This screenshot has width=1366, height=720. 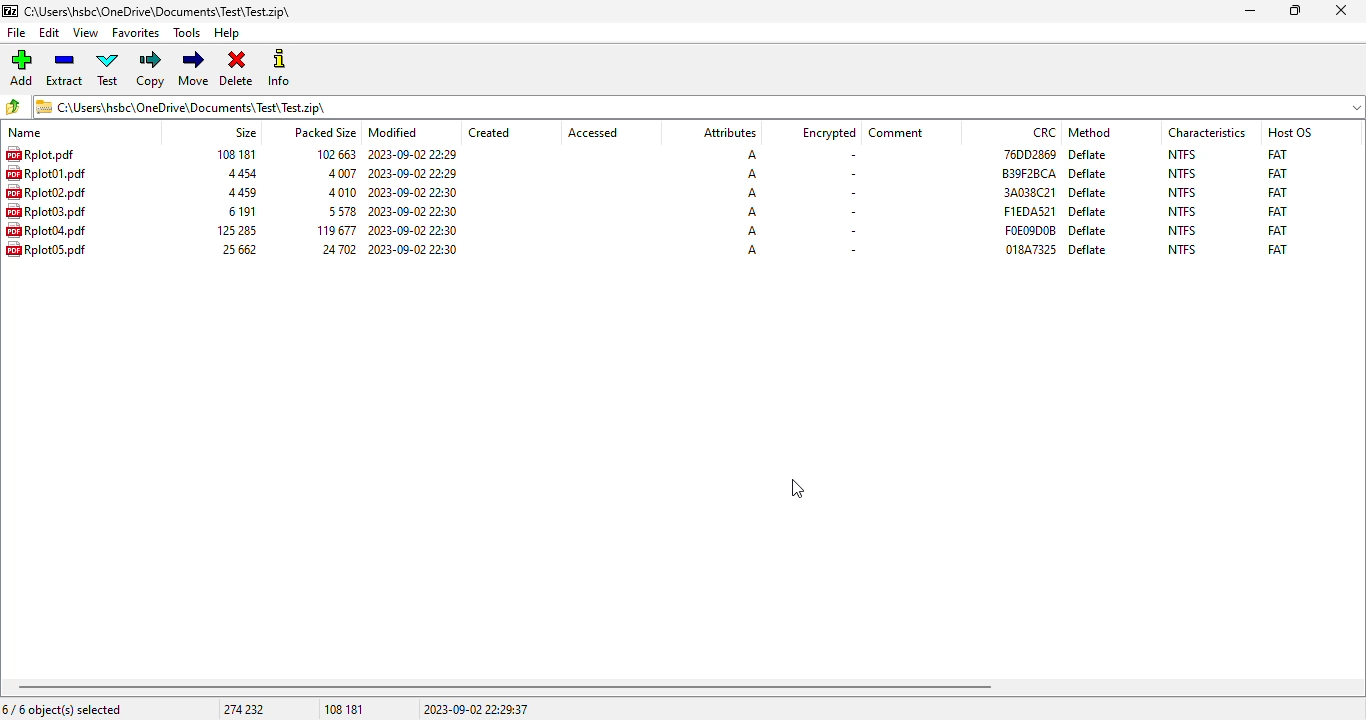 I want to click on deflate, so click(x=1089, y=230).